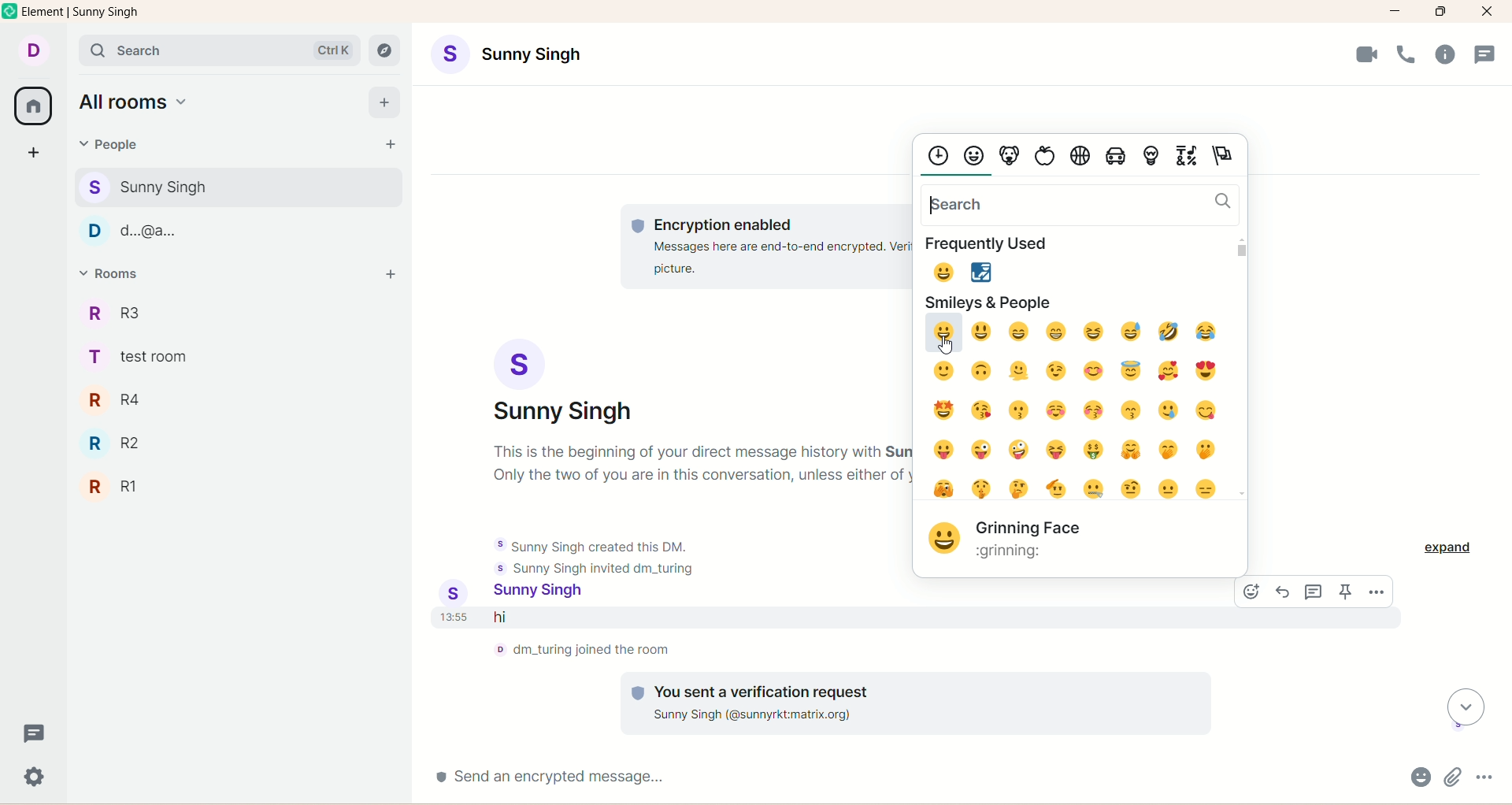 Image resolution: width=1512 pixels, height=805 pixels. I want to click on Shushing face, so click(982, 488).